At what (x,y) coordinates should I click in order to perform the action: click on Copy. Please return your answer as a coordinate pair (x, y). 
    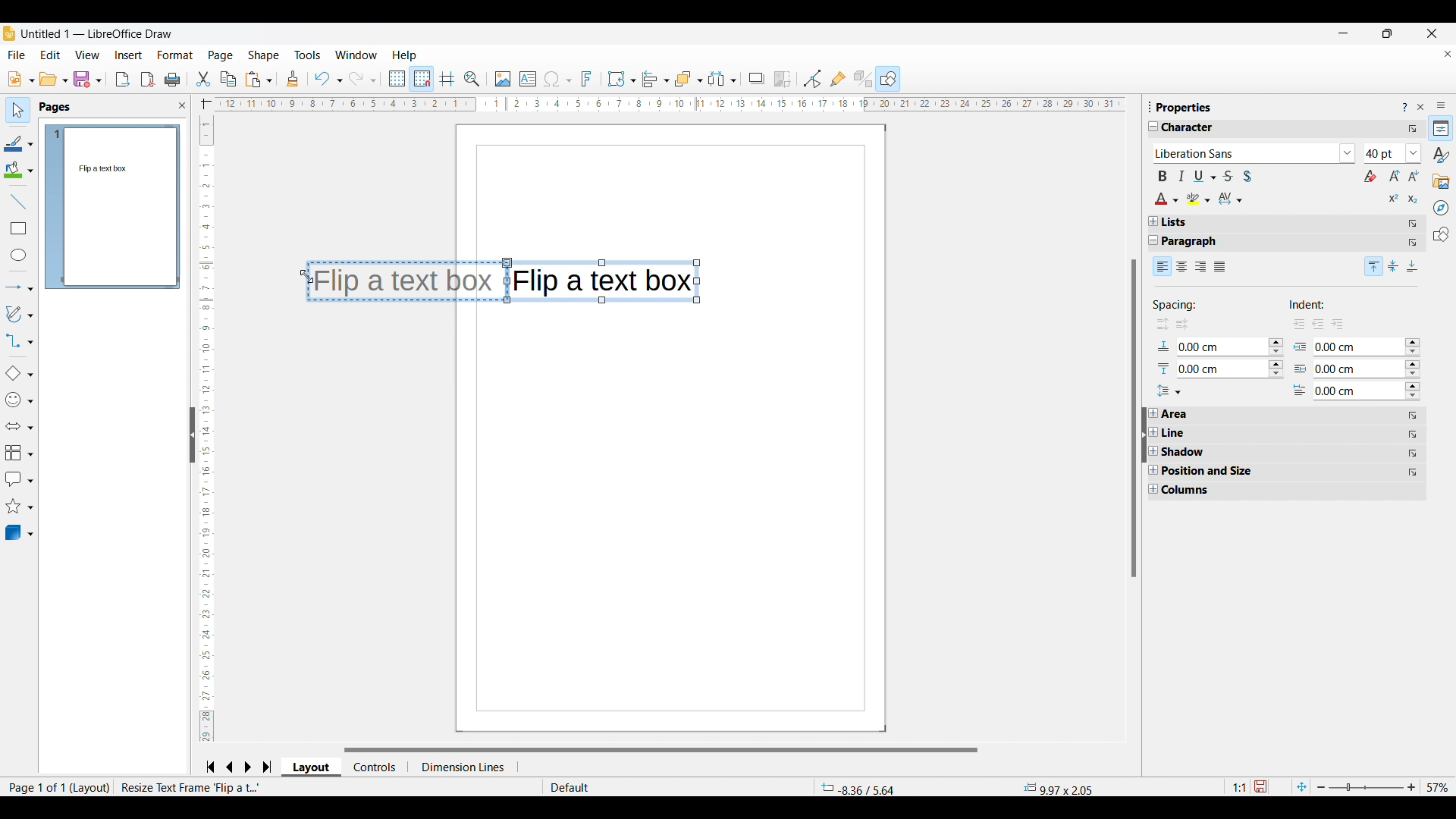
    Looking at the image, I should click on (228, 79).